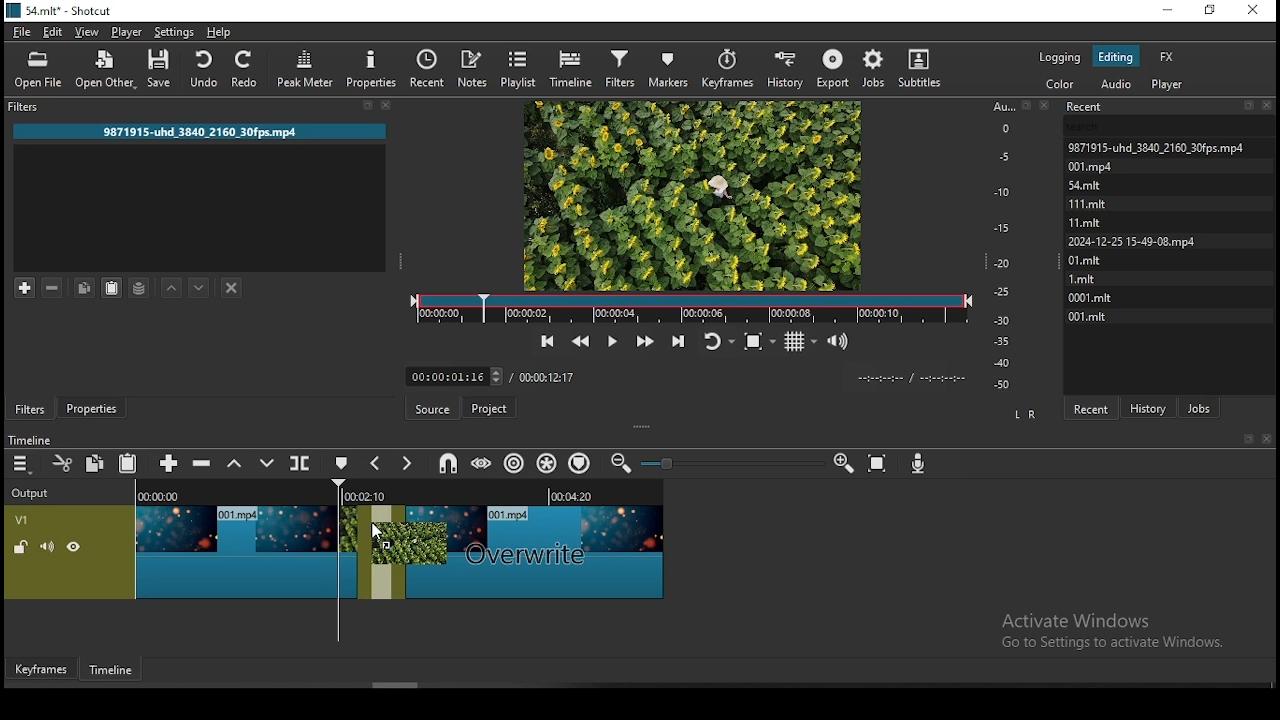 This screenshot has width=1280, height=720. Describe the element at coordinates (1026, 416) in the screenshot. I see `L R` at that location.